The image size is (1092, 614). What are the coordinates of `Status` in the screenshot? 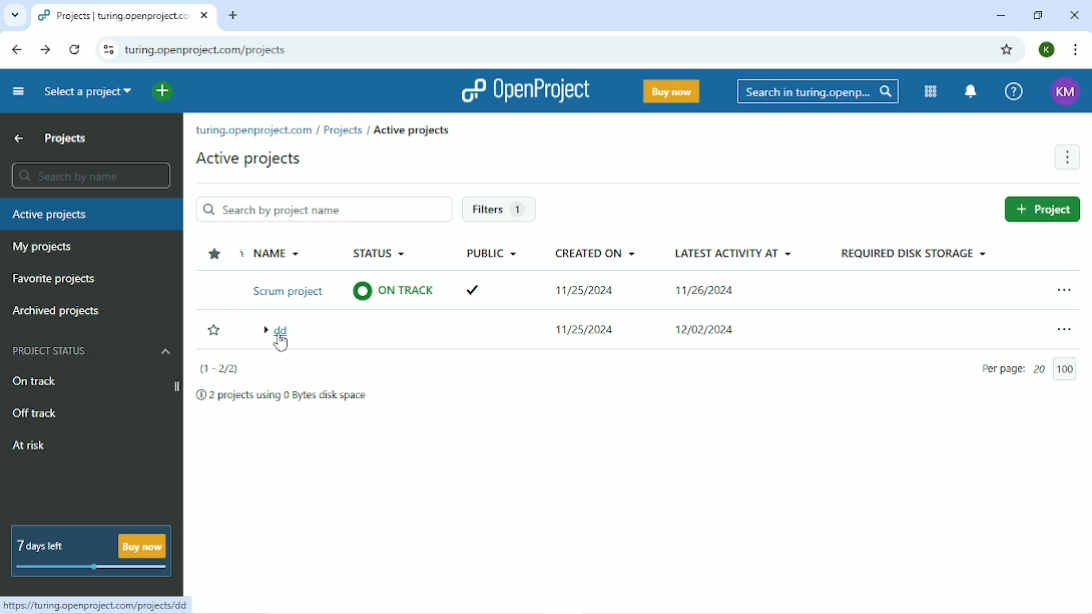 It's located at (384, 250).